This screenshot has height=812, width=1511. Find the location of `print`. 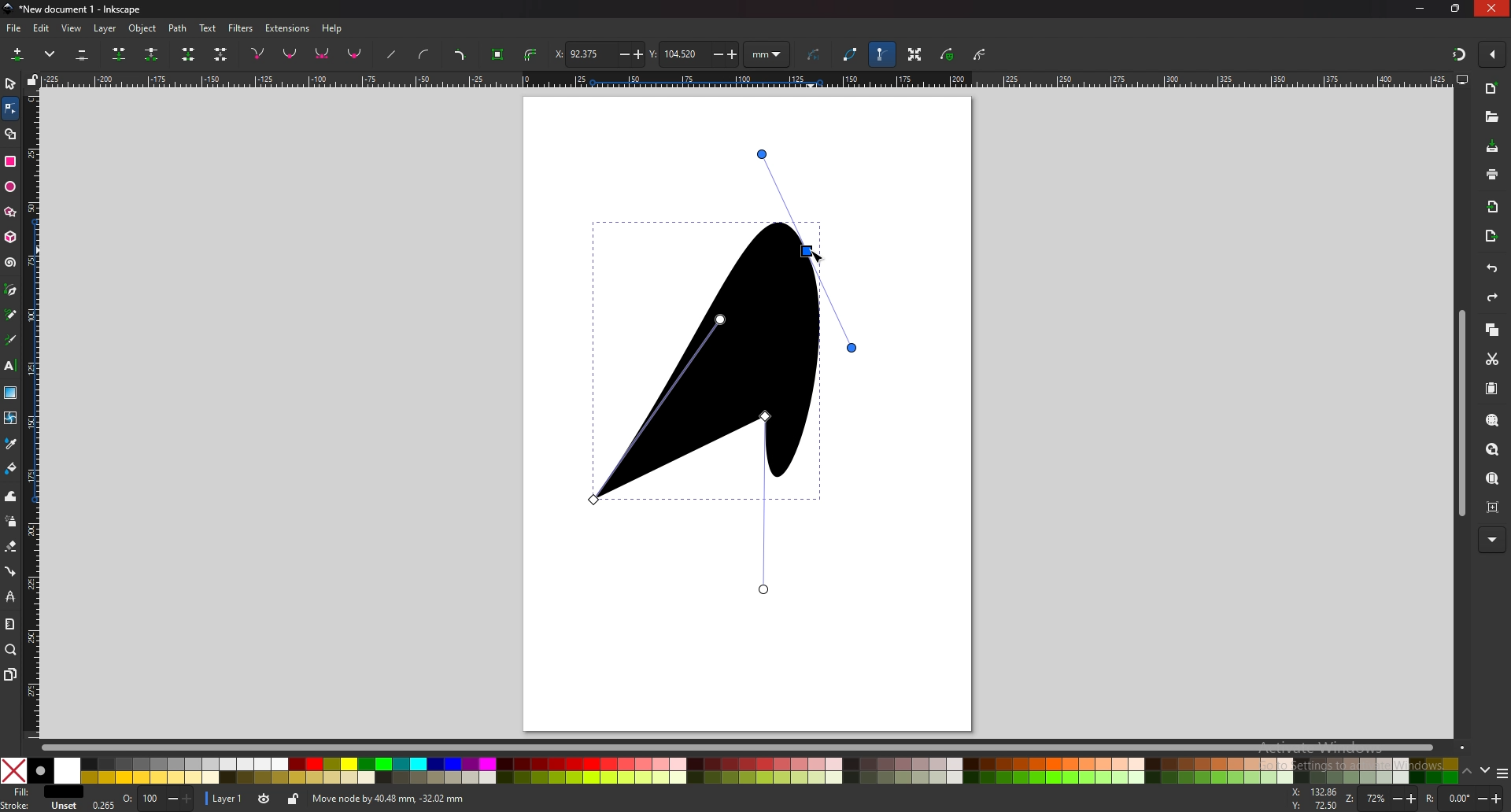

print is located at coordinates (1491, 174).